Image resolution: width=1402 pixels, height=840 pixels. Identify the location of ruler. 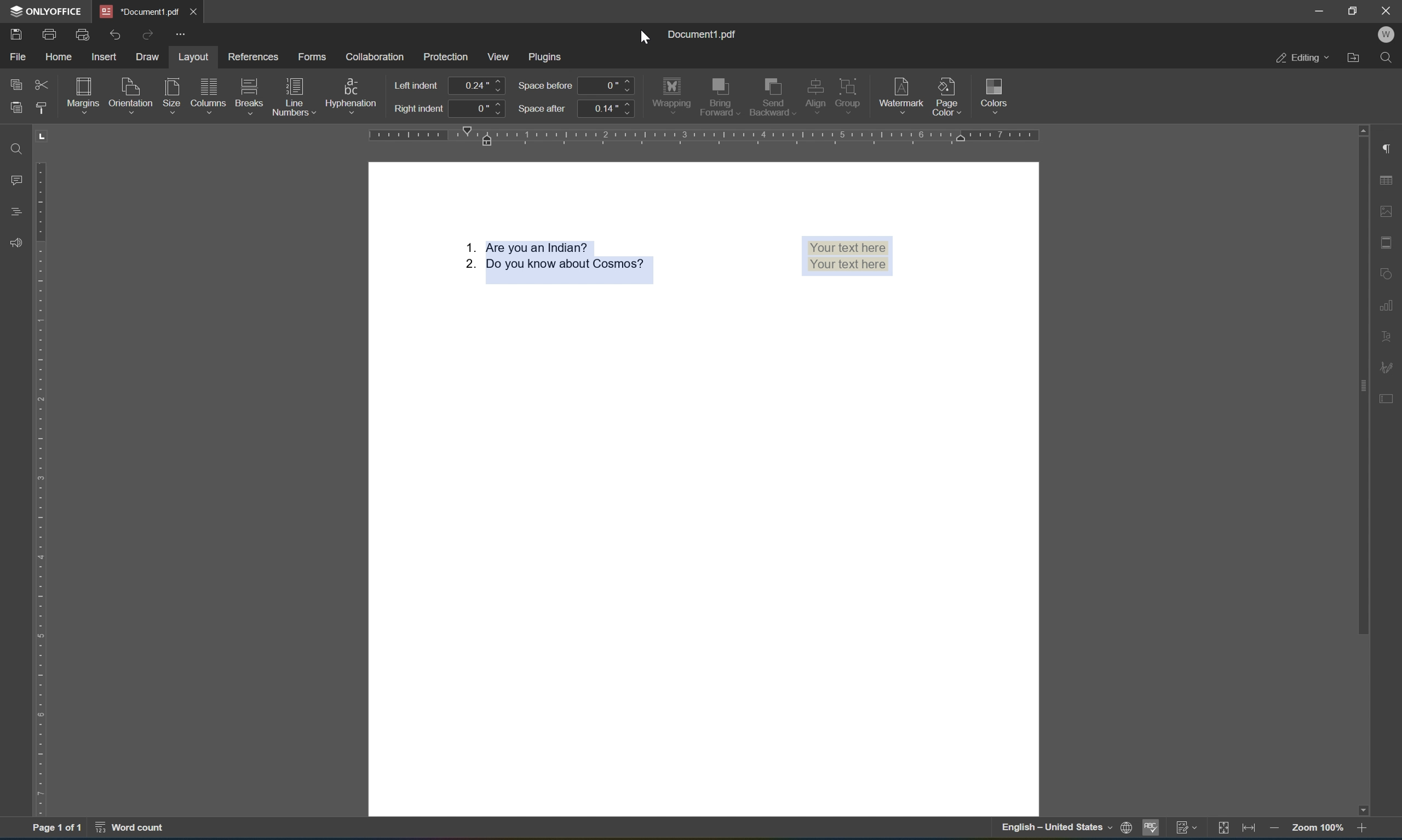
(701, 136).